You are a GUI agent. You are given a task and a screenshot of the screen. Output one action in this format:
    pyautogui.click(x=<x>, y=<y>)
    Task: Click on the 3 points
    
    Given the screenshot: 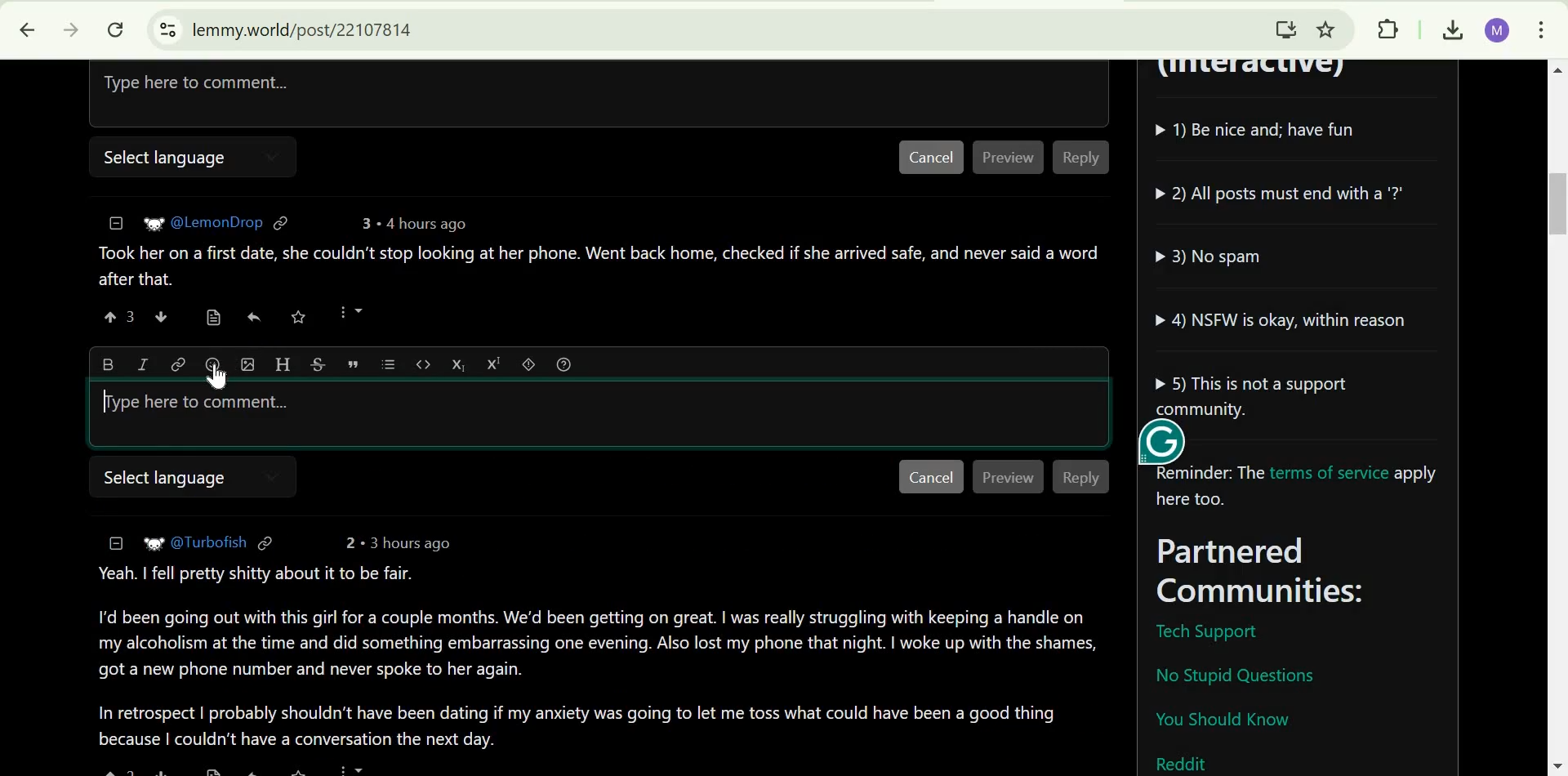 What is the action you would take?
    pyautogui.click(x=363, y=223)
    